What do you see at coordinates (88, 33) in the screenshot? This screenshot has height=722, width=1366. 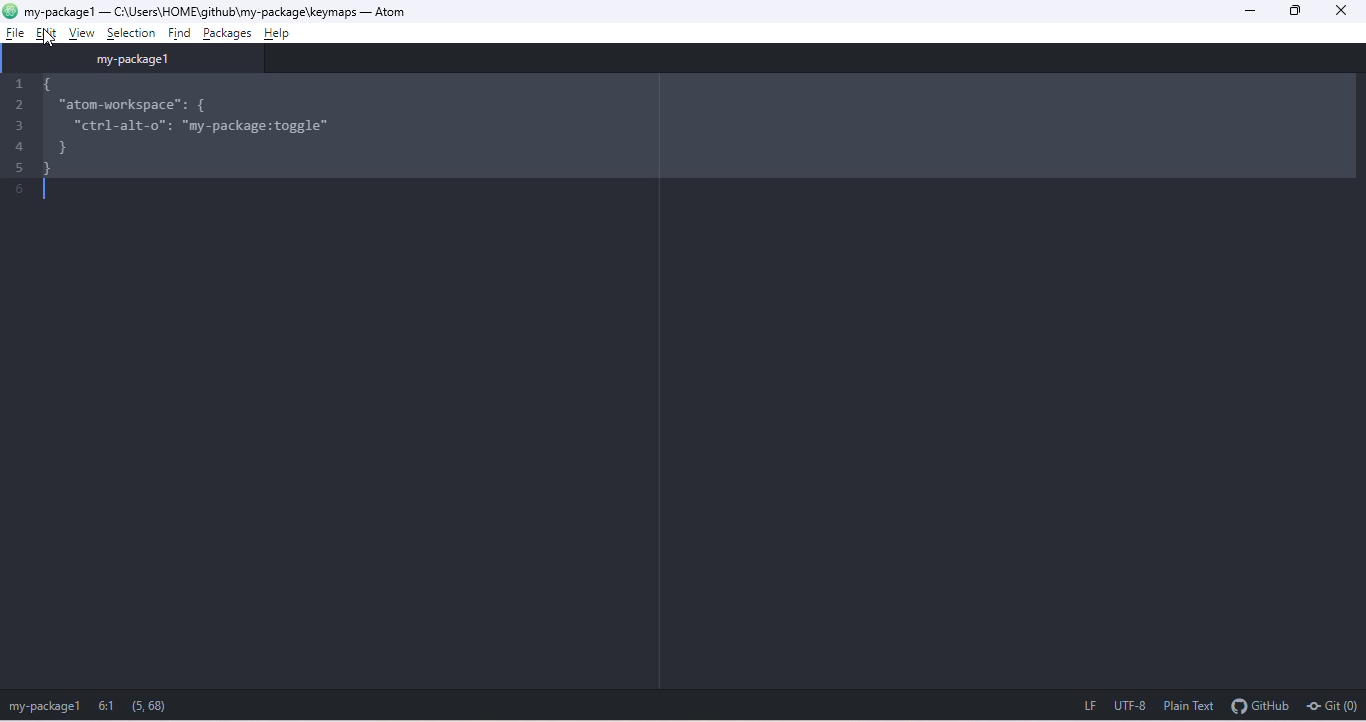 I see `view` at bounding box center [88, 33].